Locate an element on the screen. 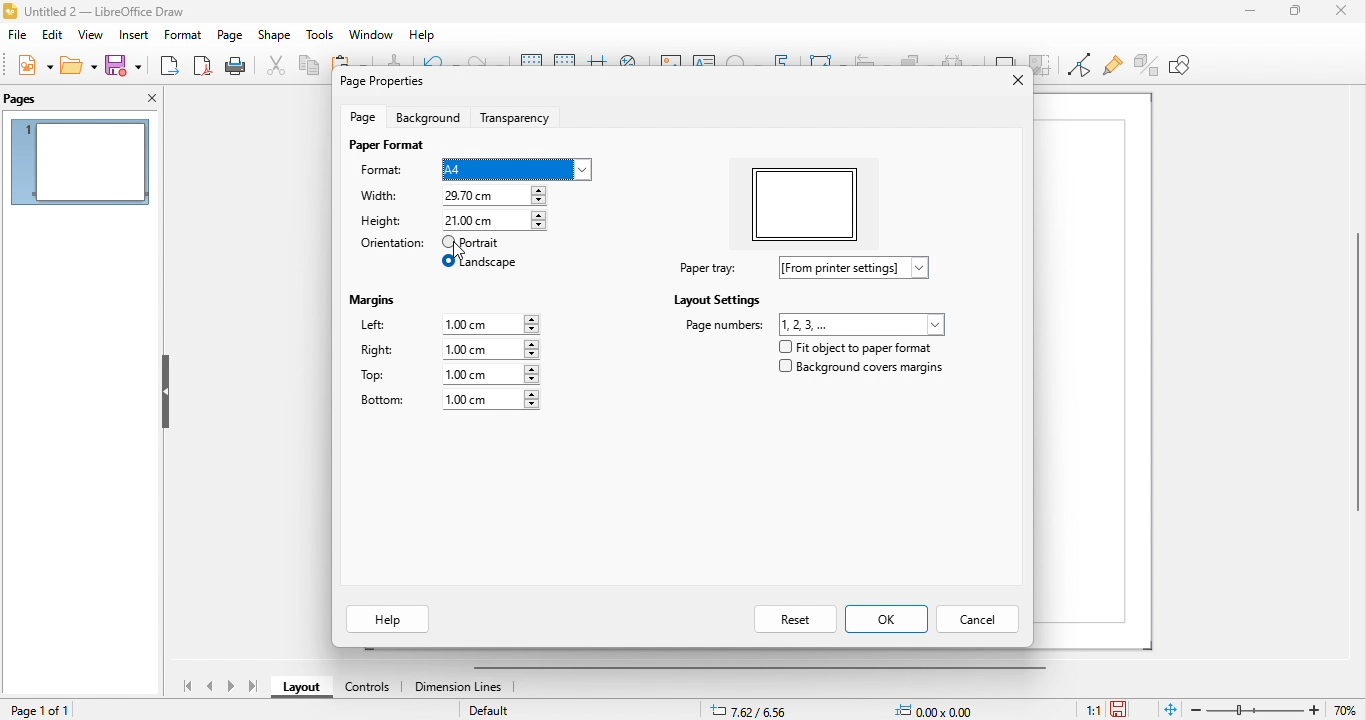 The width and height of the screenshot is (1366, 720). 21.00 cm is located at coordinates (494, 220).